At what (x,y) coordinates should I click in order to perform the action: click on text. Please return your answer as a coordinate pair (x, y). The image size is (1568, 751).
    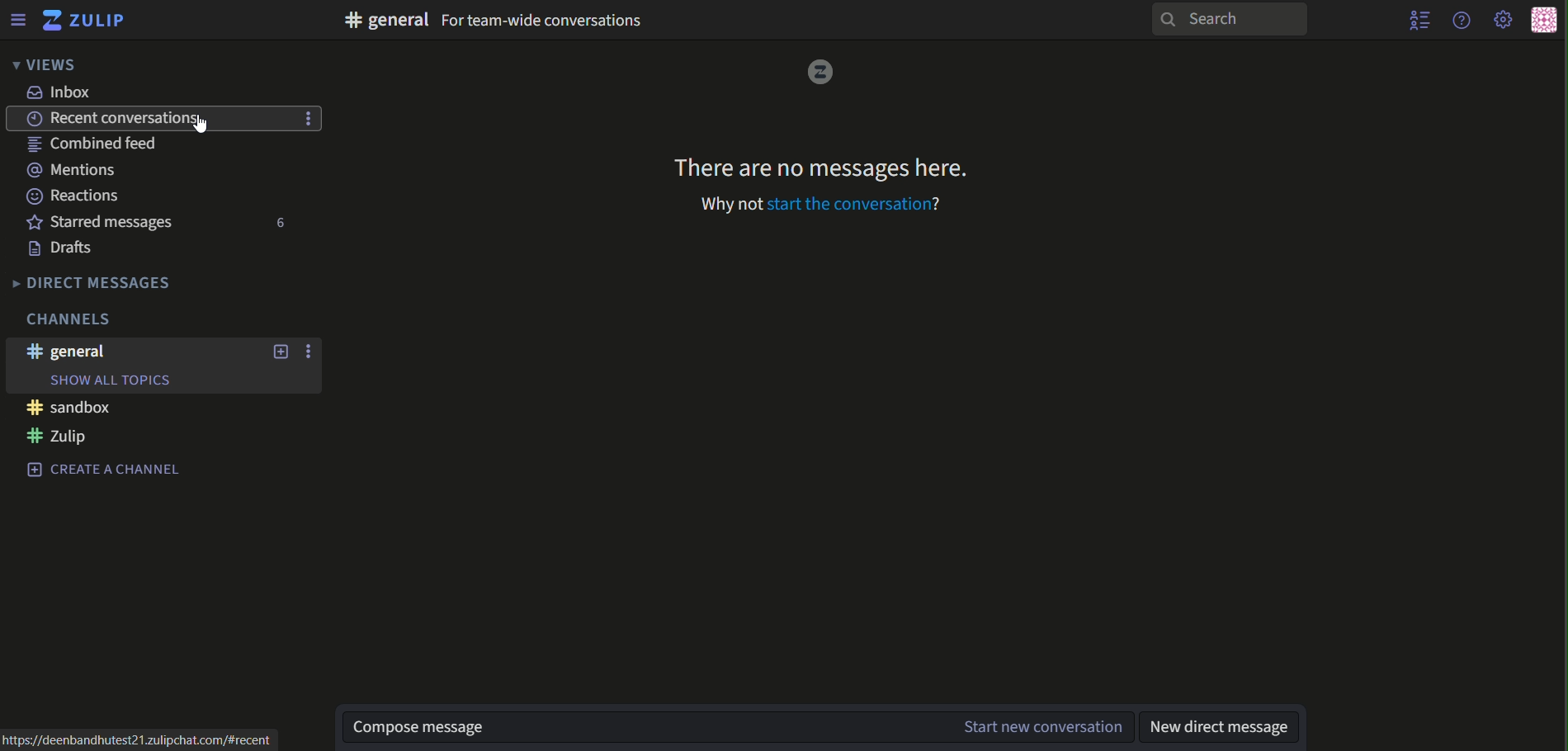
    Looking at the image, I should click on (500, 19).